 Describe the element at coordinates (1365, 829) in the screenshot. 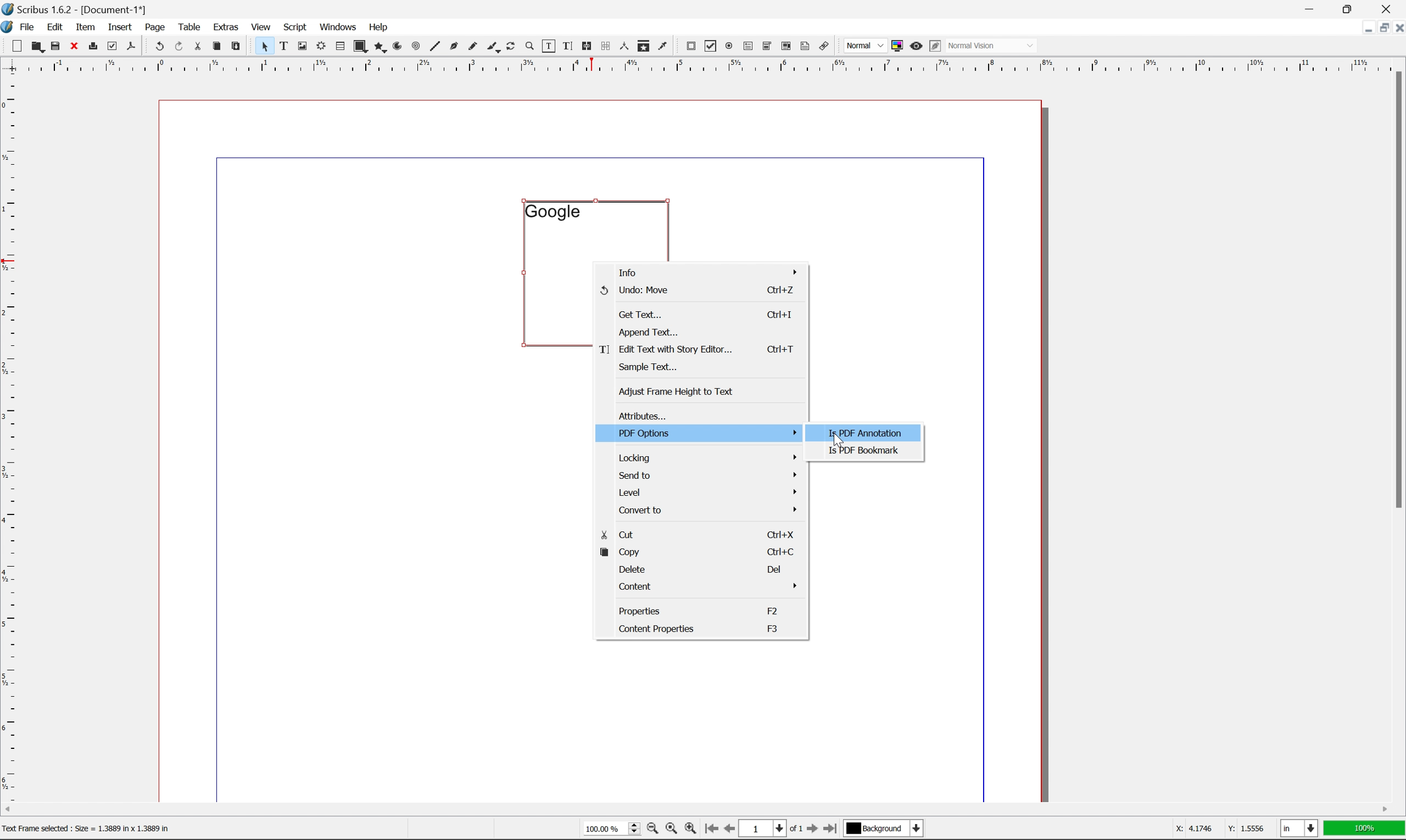

I see `100%` at that location.